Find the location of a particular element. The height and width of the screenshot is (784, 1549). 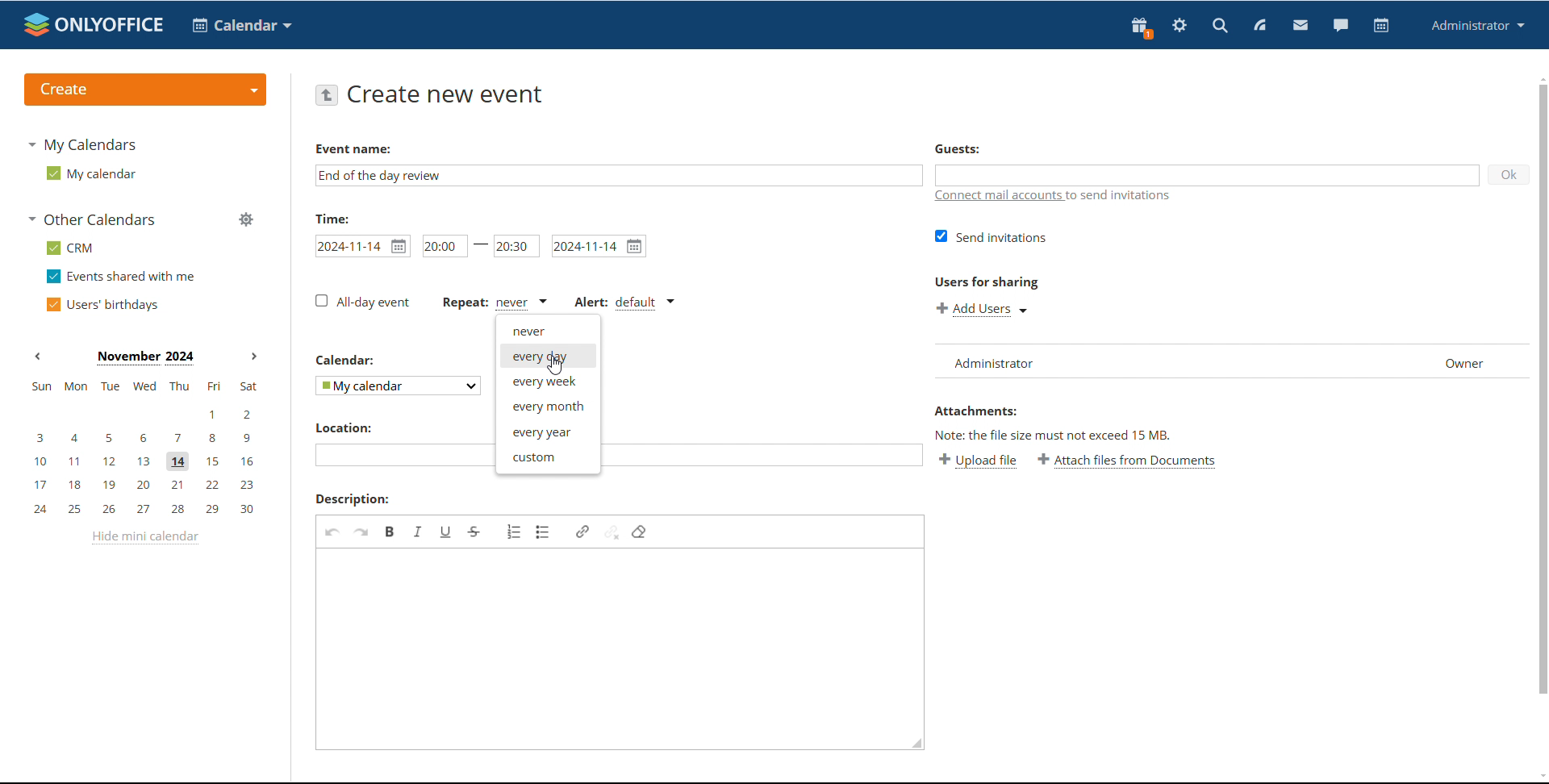

alert type is located at coordinates (624, 303).